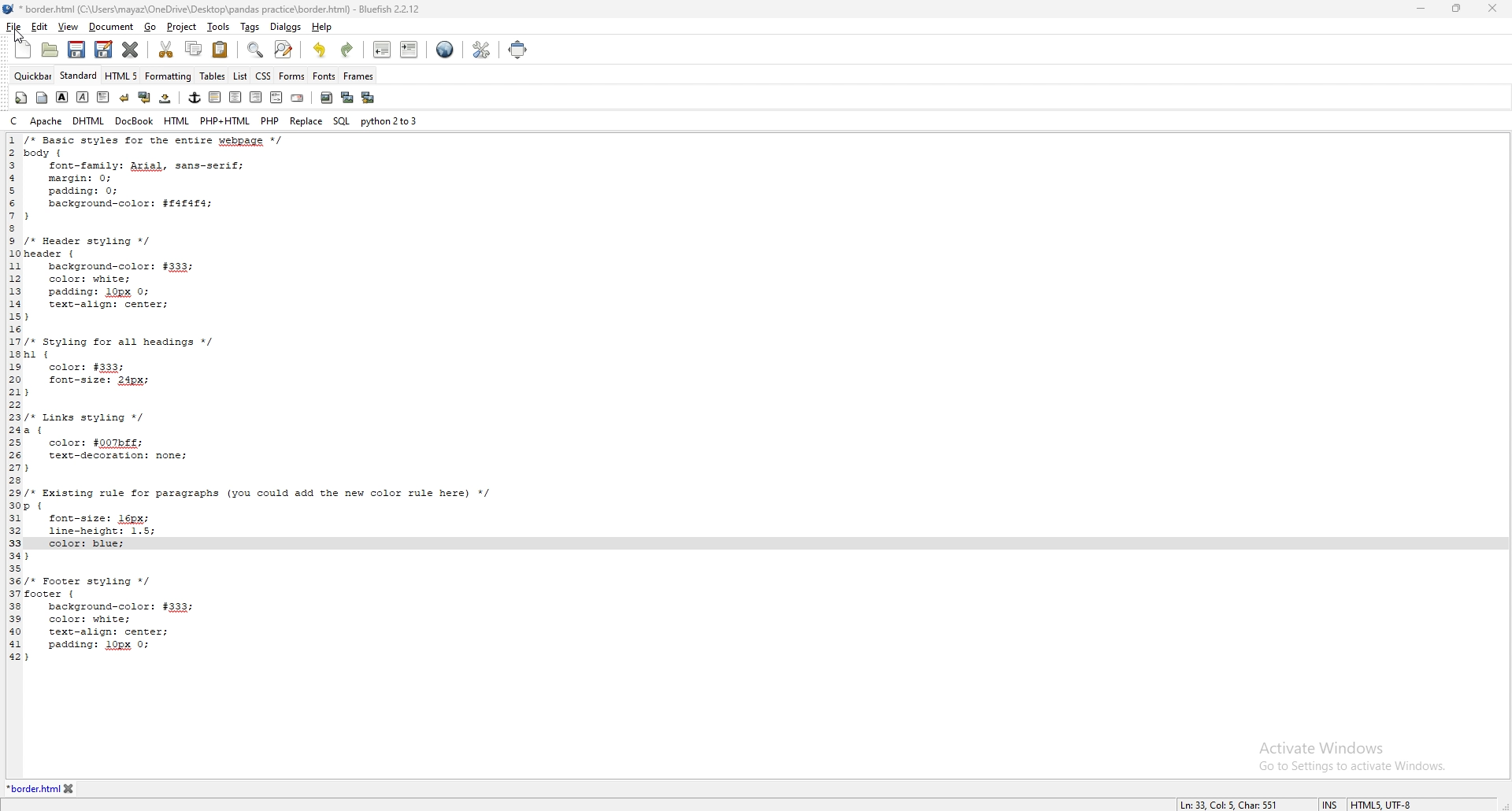 This screenshot has height=811, width=1512. Describe the element at coordinates (15, 399) in the screenshot. I see `line number` at that location.